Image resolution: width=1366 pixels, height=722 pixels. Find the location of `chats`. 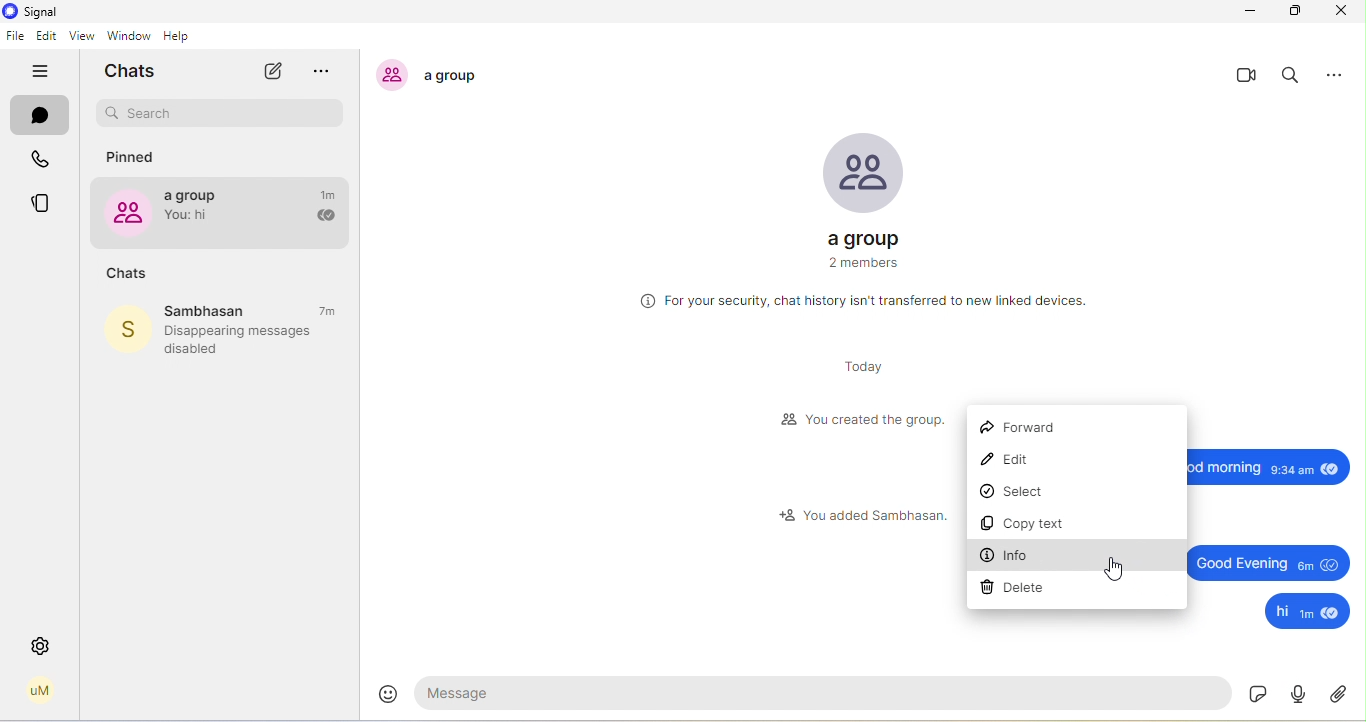

chats is located at coordinates (127, 274).